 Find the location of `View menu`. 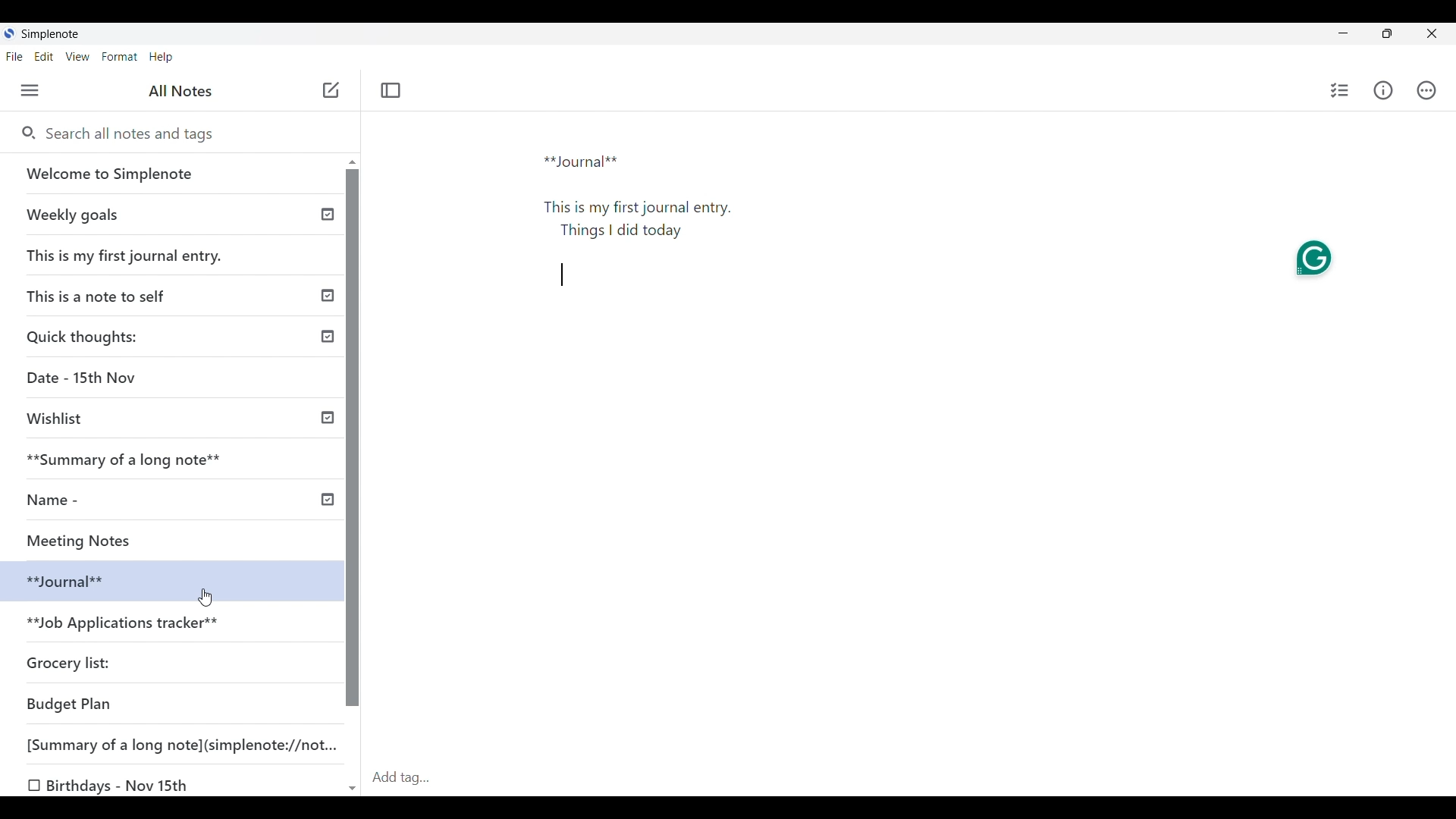

View menu is located at coordinates (78, 57).